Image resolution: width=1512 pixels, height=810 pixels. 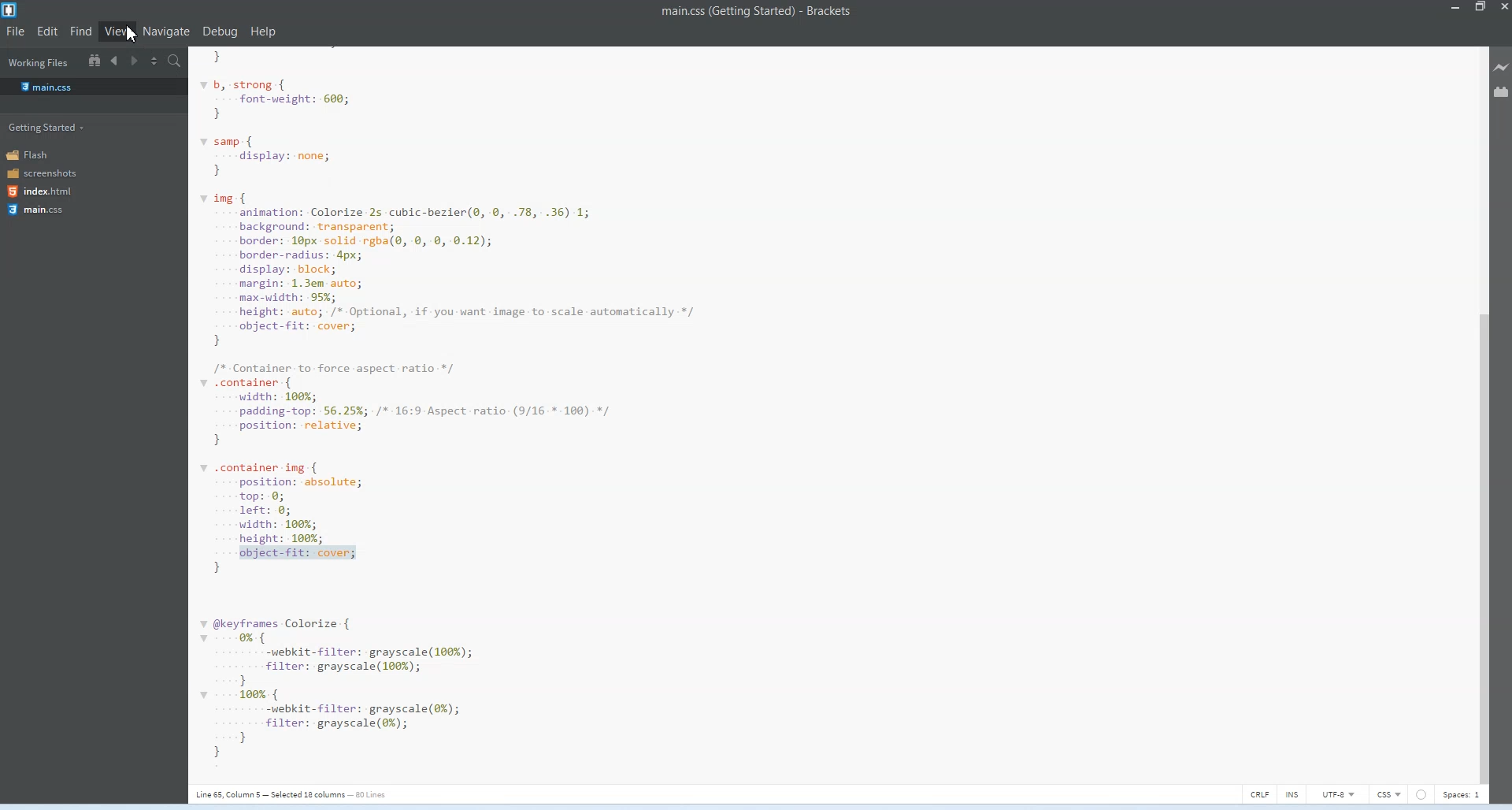 I want to click on Debug, so click(x=220, y=32).